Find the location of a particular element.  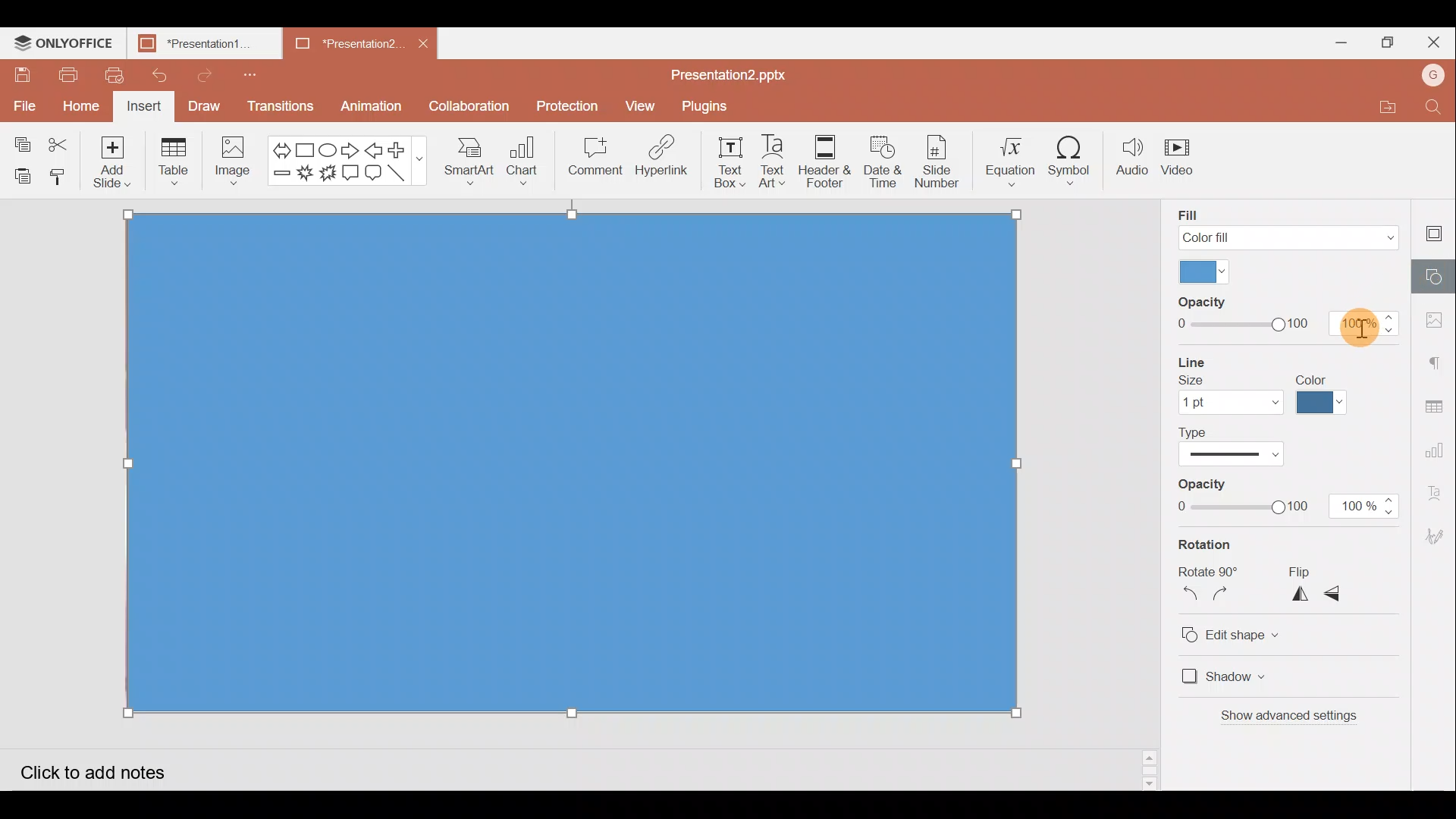

Maximize is located at coordinates (1386, 41).